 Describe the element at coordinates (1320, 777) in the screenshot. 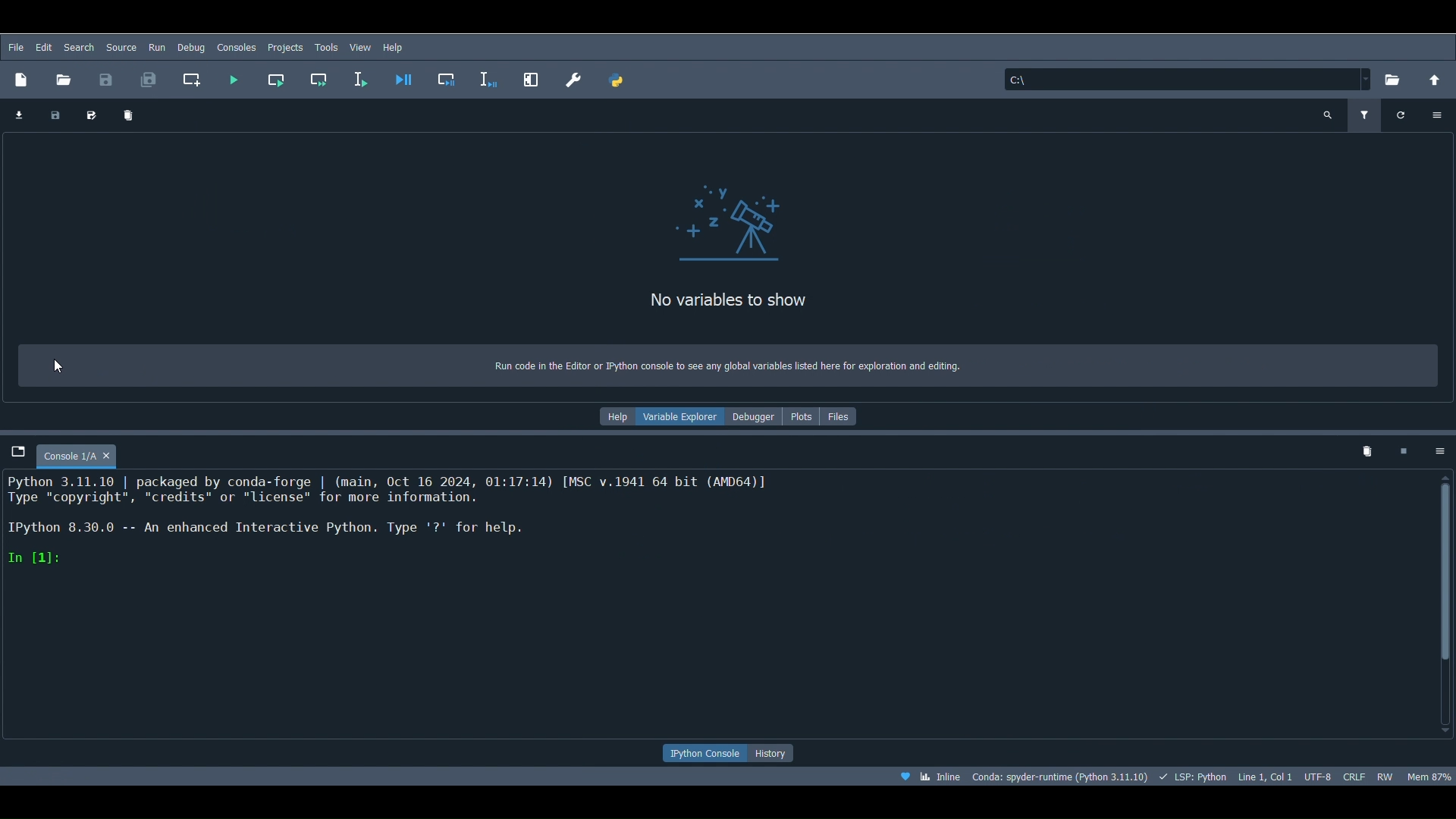

I see `Encoding` at that location.